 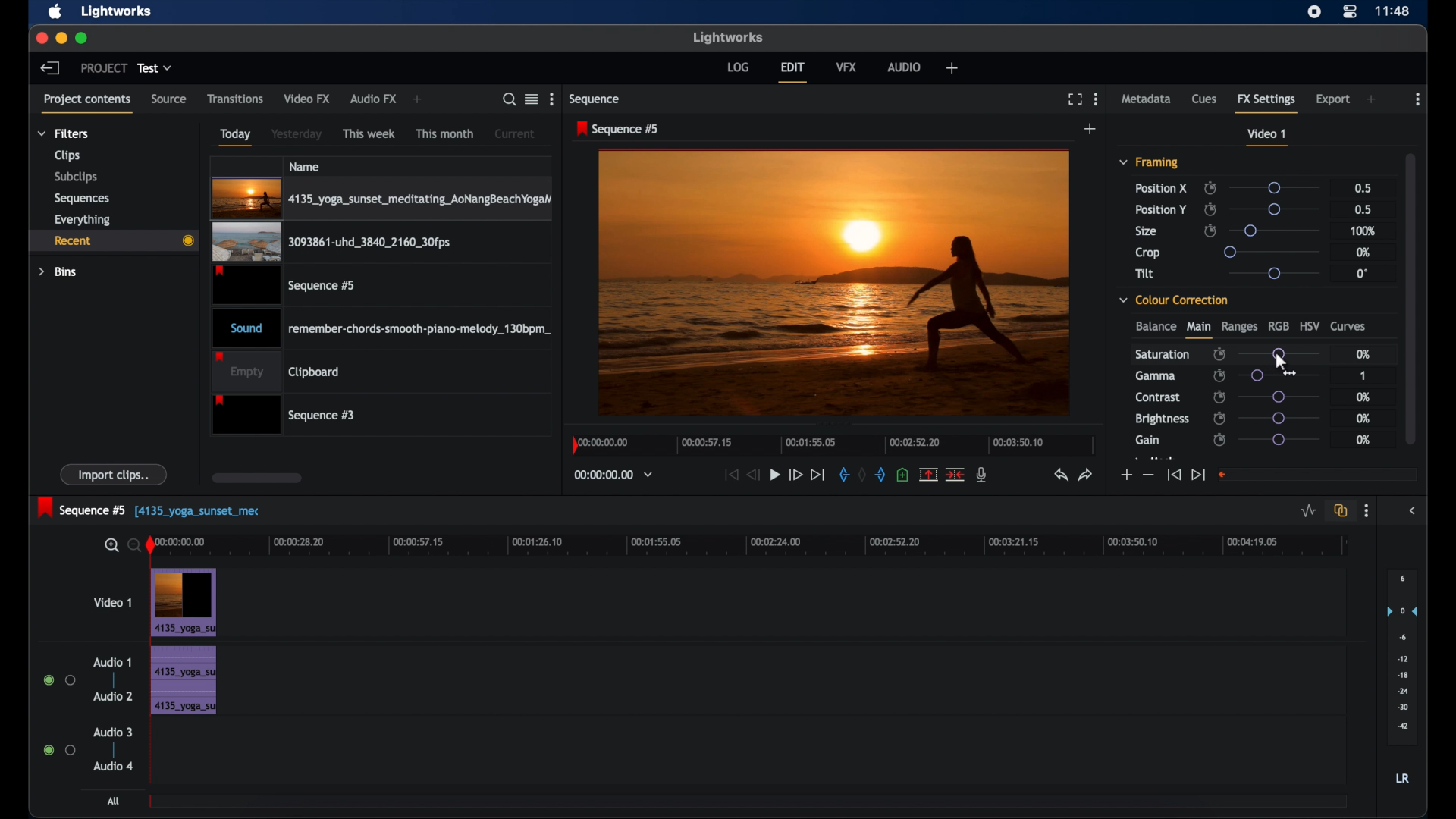 I want to click on recent, so click(x=113, y=240).